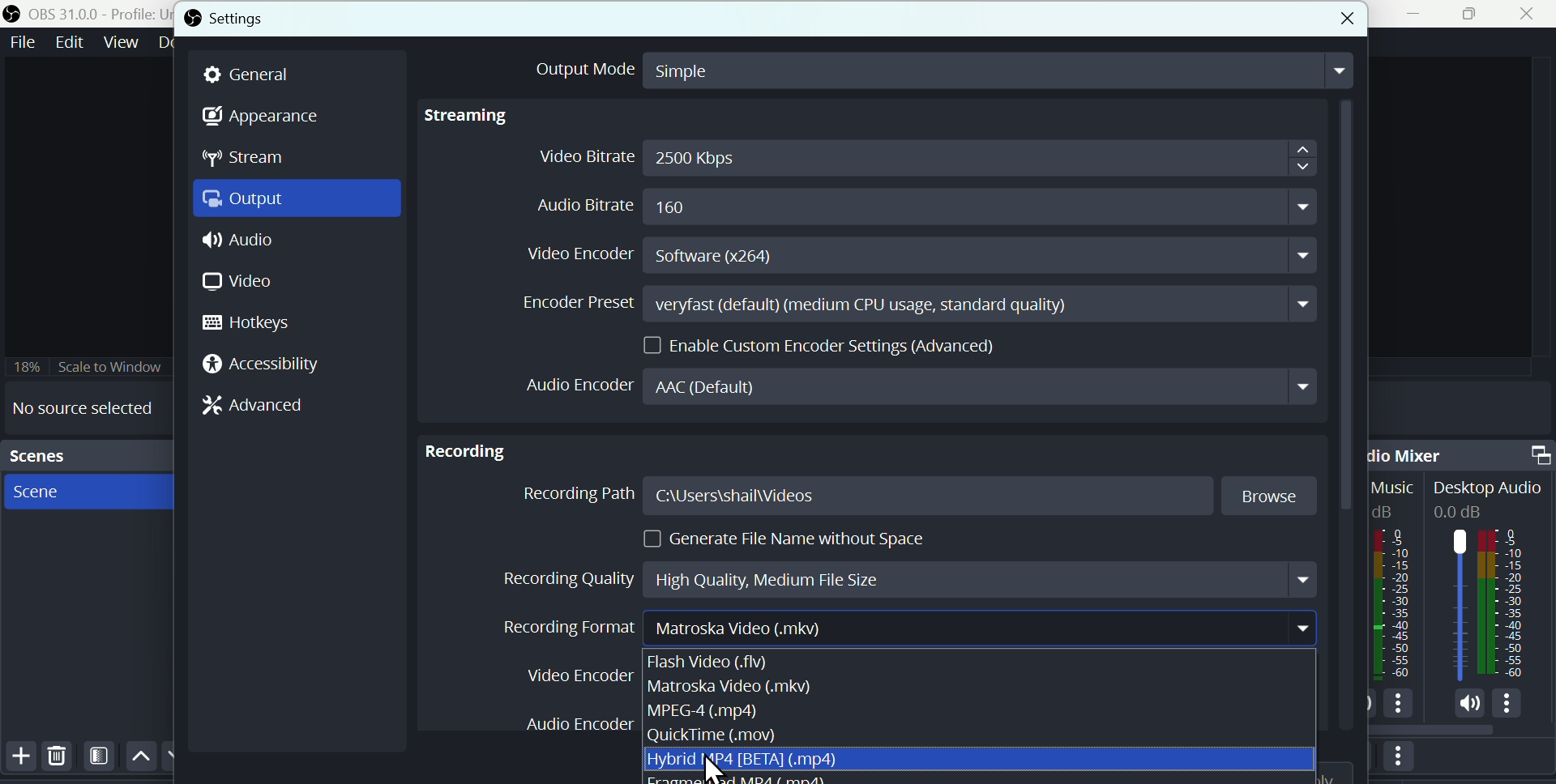 This screenshot has width=1556, height=784. I want to click on OBS 31.0 .0 profile untitled scenes new scene, so click(83, 14).